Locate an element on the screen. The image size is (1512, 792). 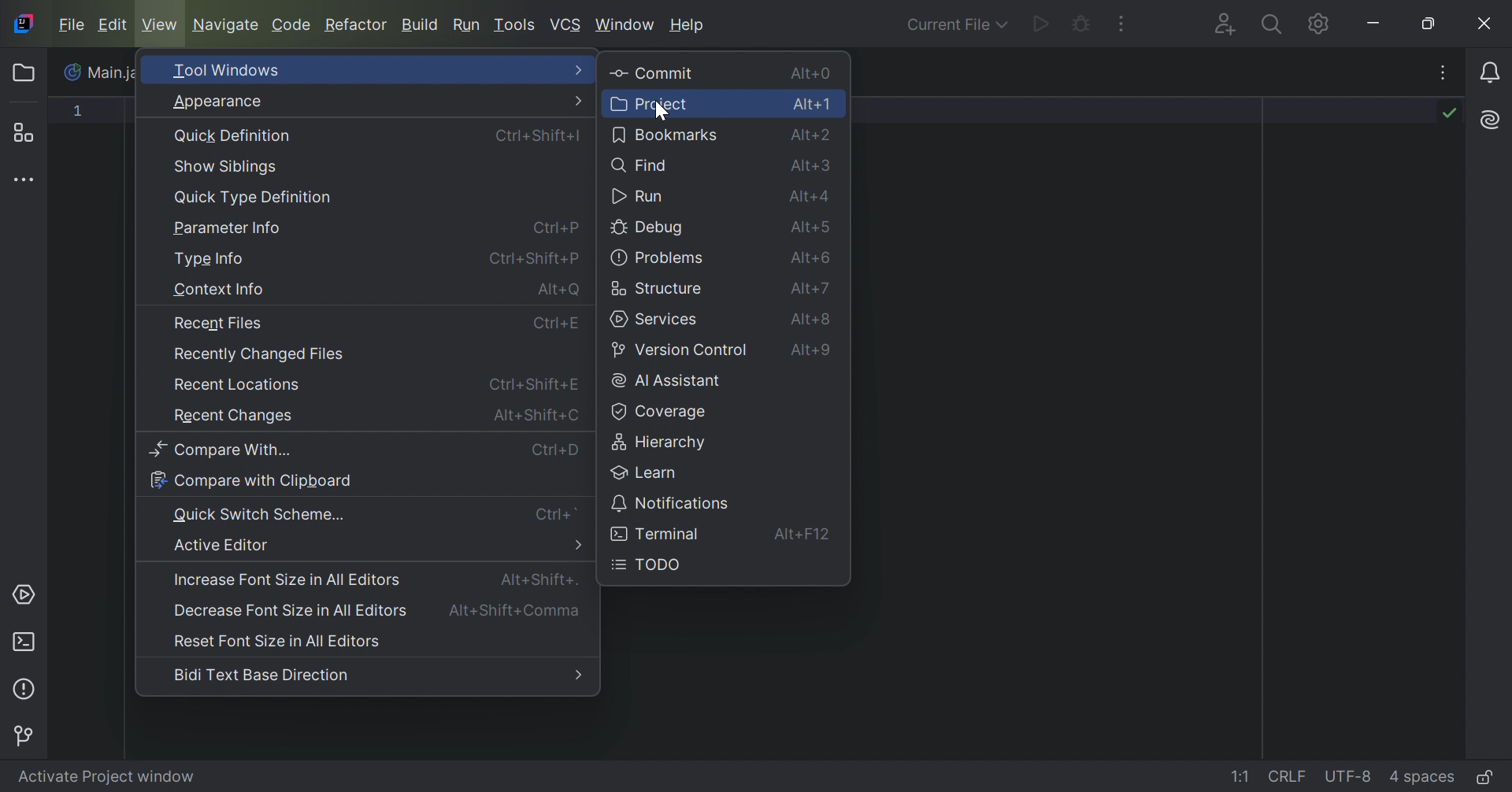
Version Control is located at coordinates (679, 351).